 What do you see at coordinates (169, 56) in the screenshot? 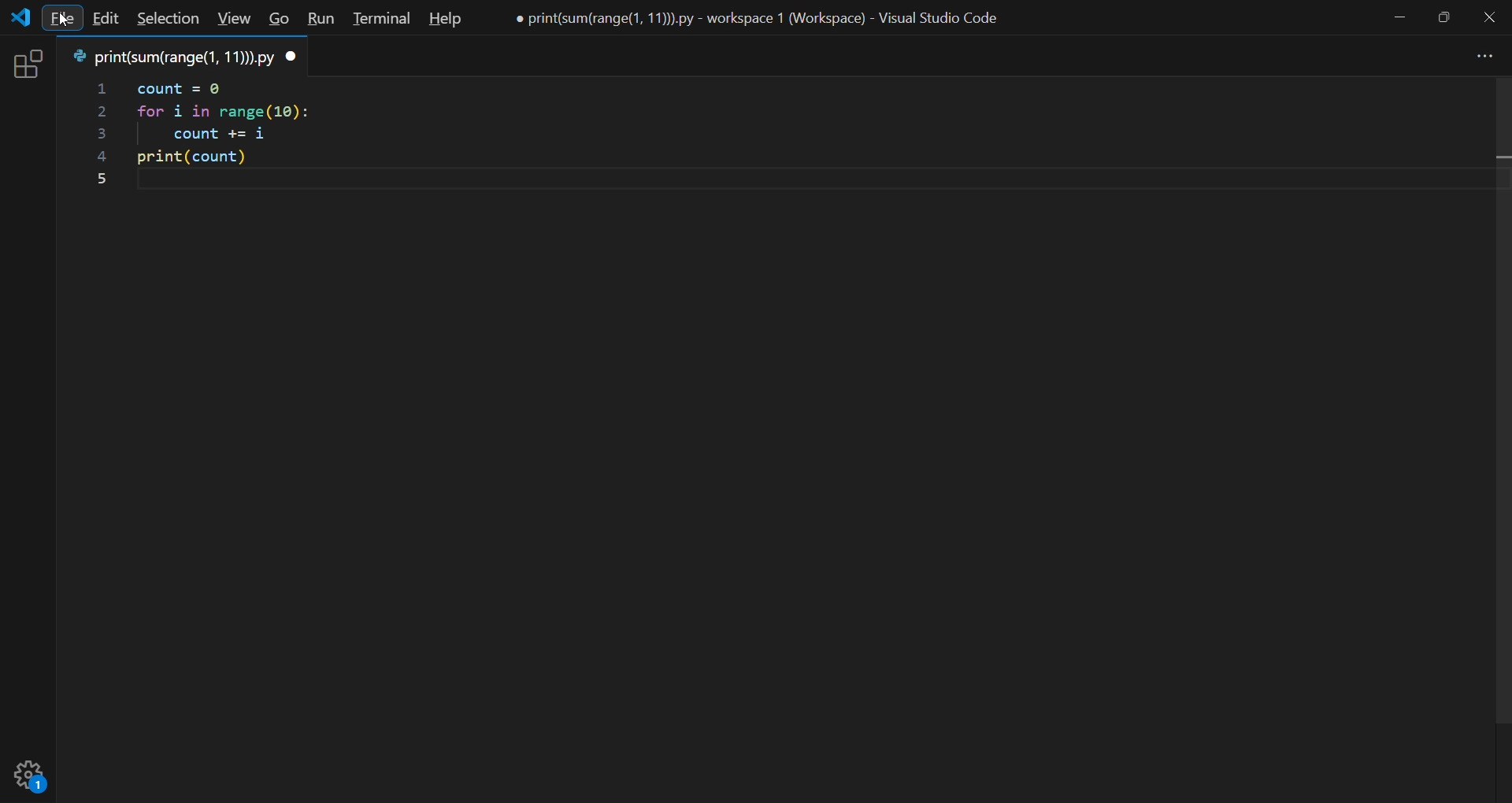
I see `tab name` at bounding box center [169, 56].